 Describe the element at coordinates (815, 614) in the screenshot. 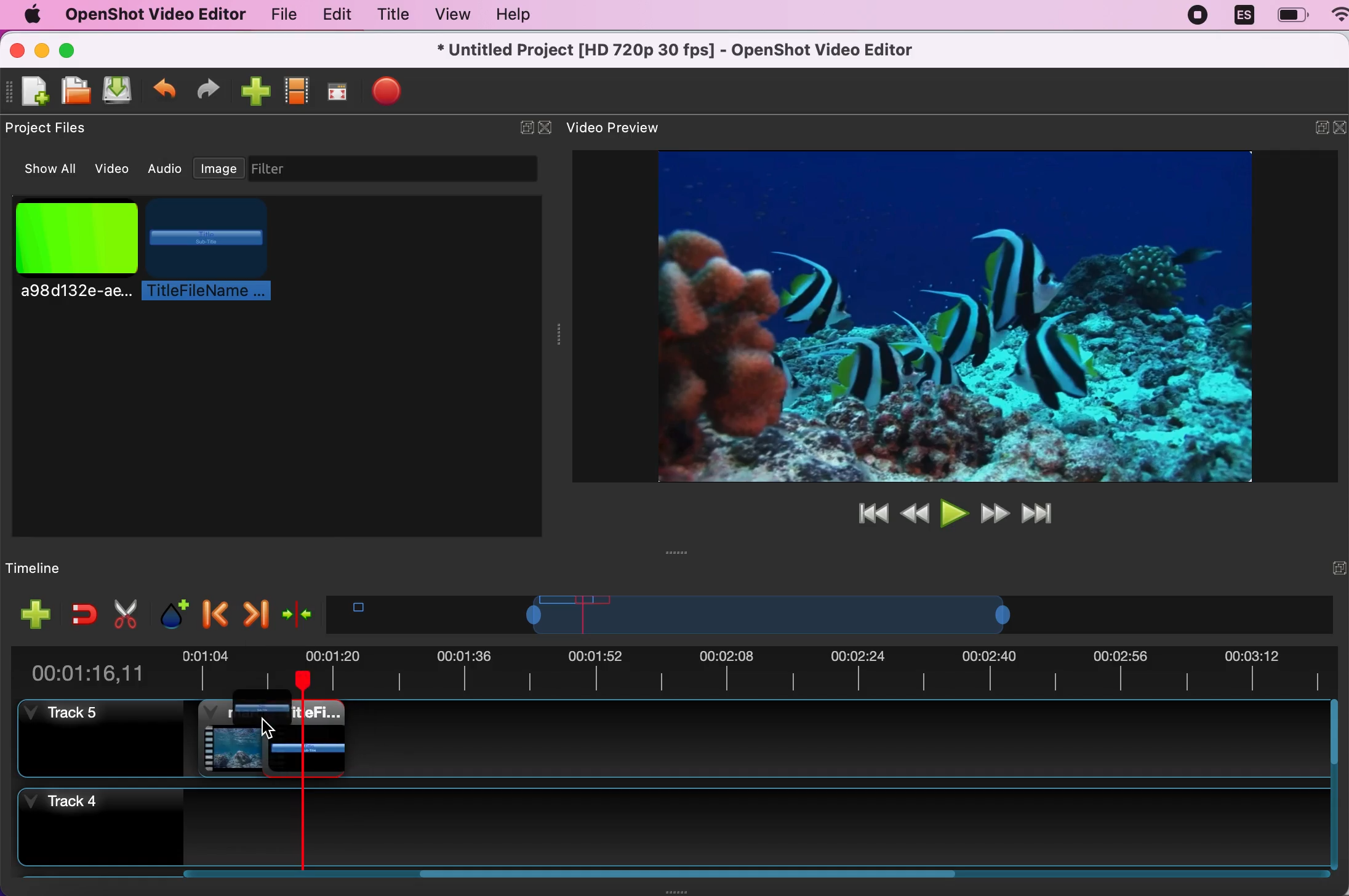

I see `timeline` at that location.